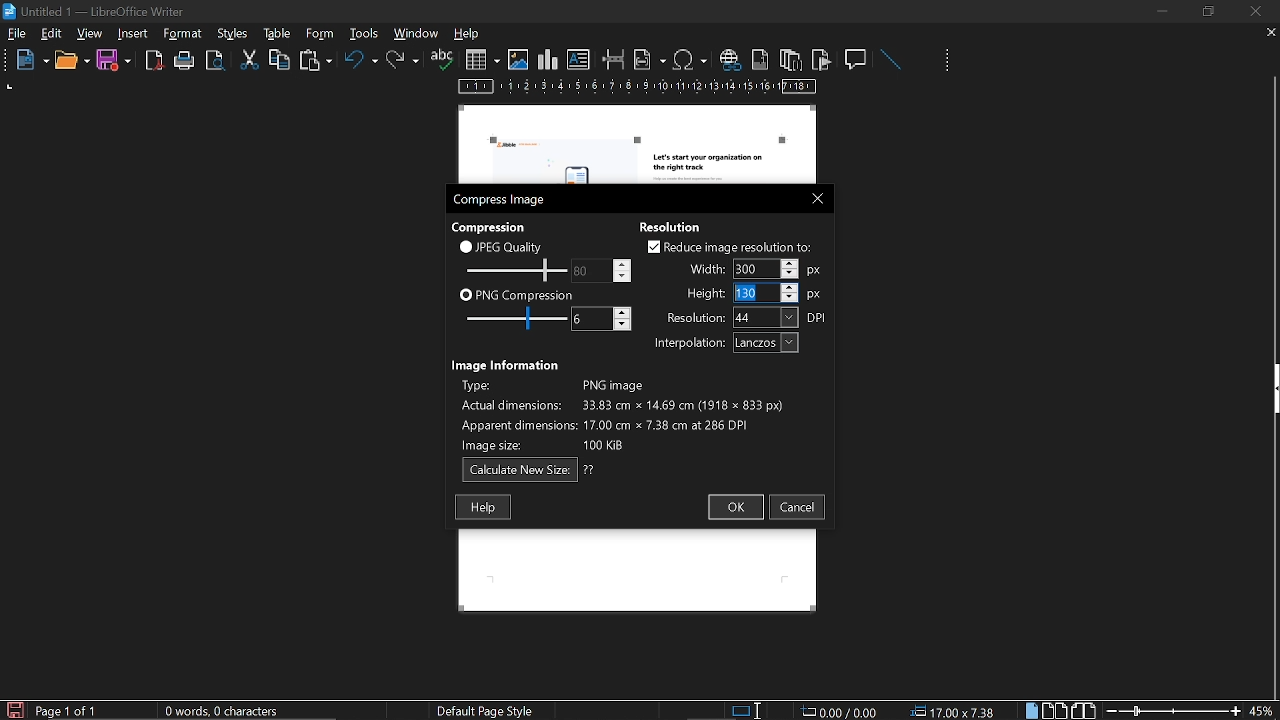 This screenshot has height=720, width=1280. Describe the element at coordinates (1211, 11) in the screenshot. I see `restore down` at that location.